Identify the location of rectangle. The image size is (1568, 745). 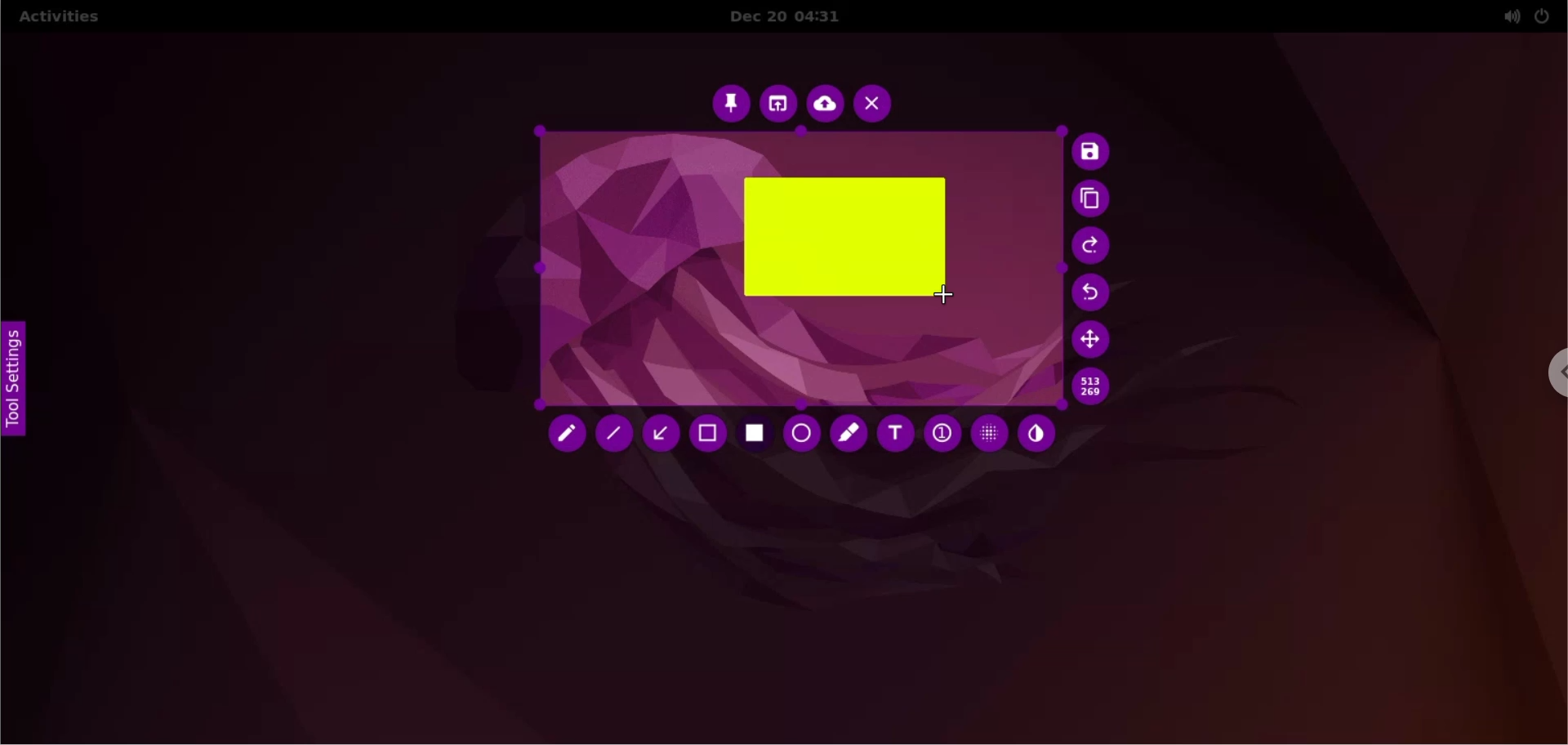
(844, 237).